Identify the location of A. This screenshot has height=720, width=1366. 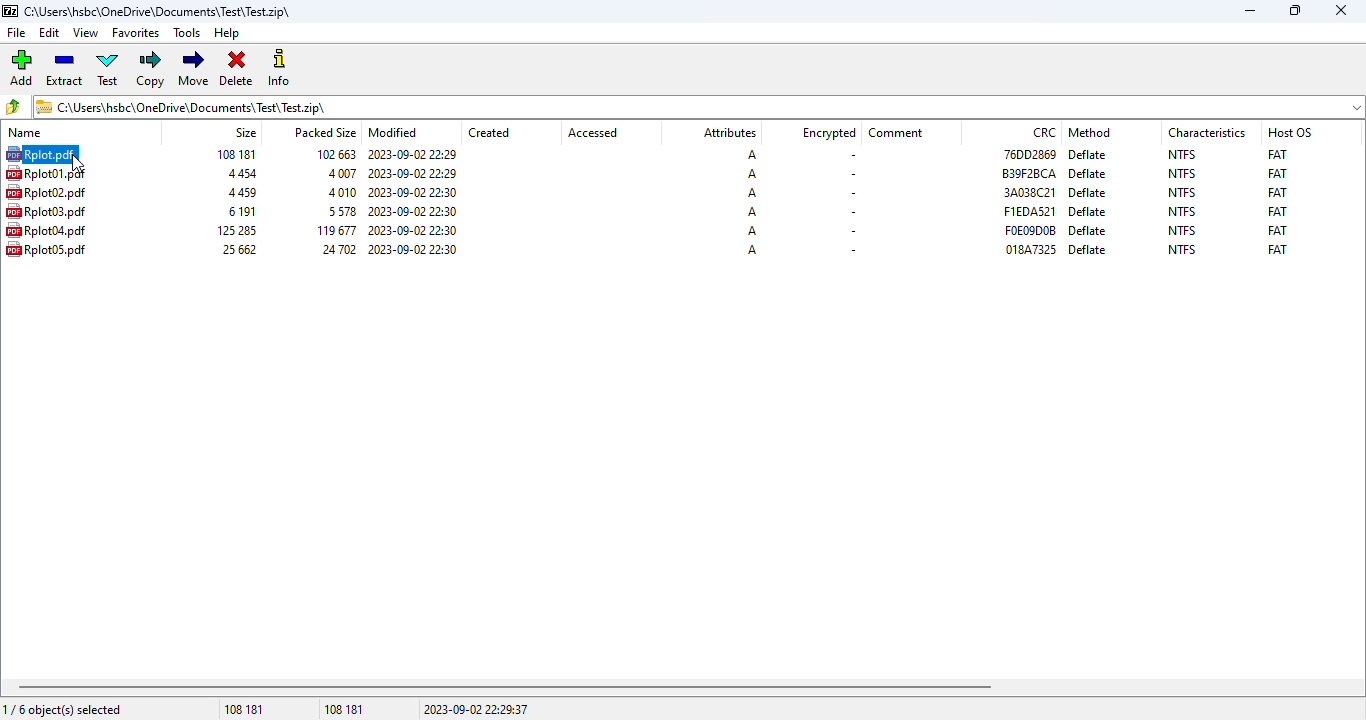
(752, 249).